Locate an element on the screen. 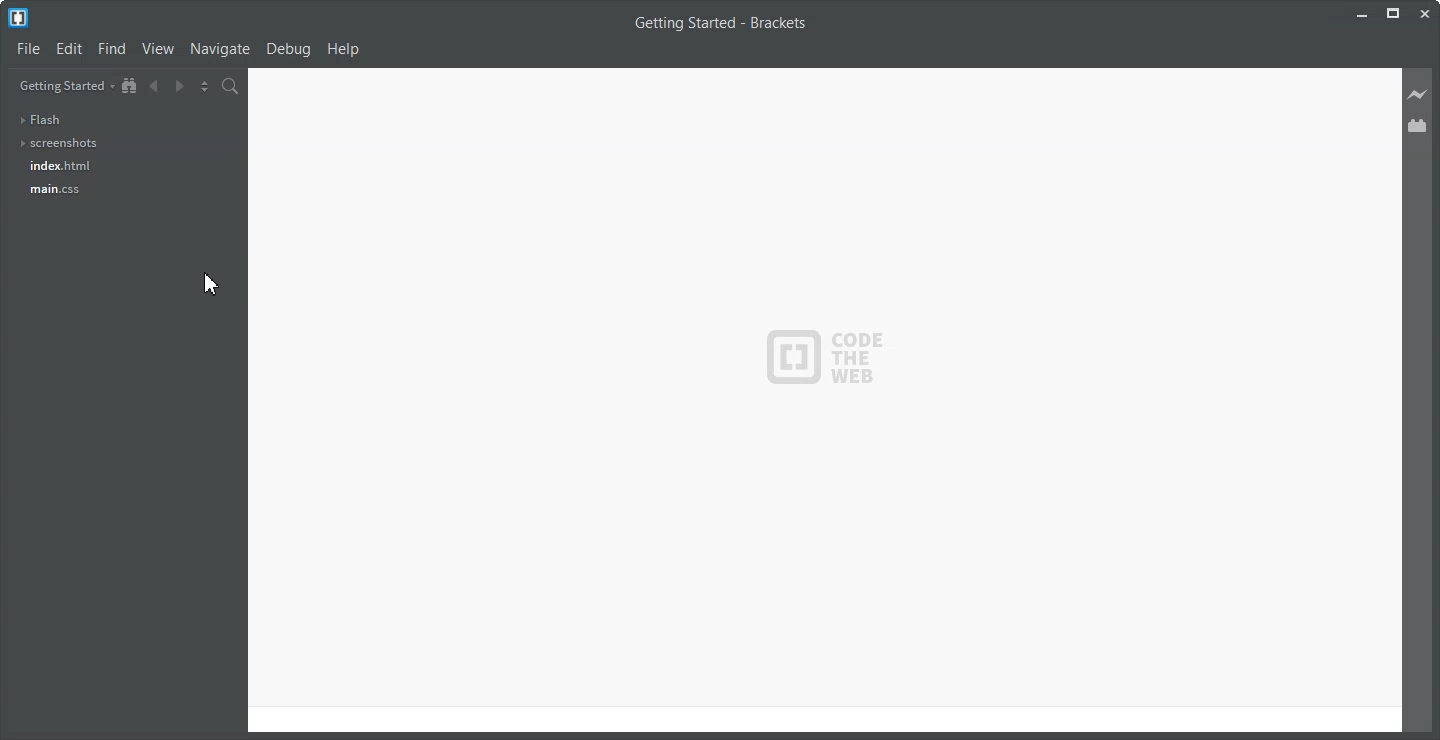 The height and width of the screenshot is (740, 1440). Maximize is located at coordinates (1393, 14).